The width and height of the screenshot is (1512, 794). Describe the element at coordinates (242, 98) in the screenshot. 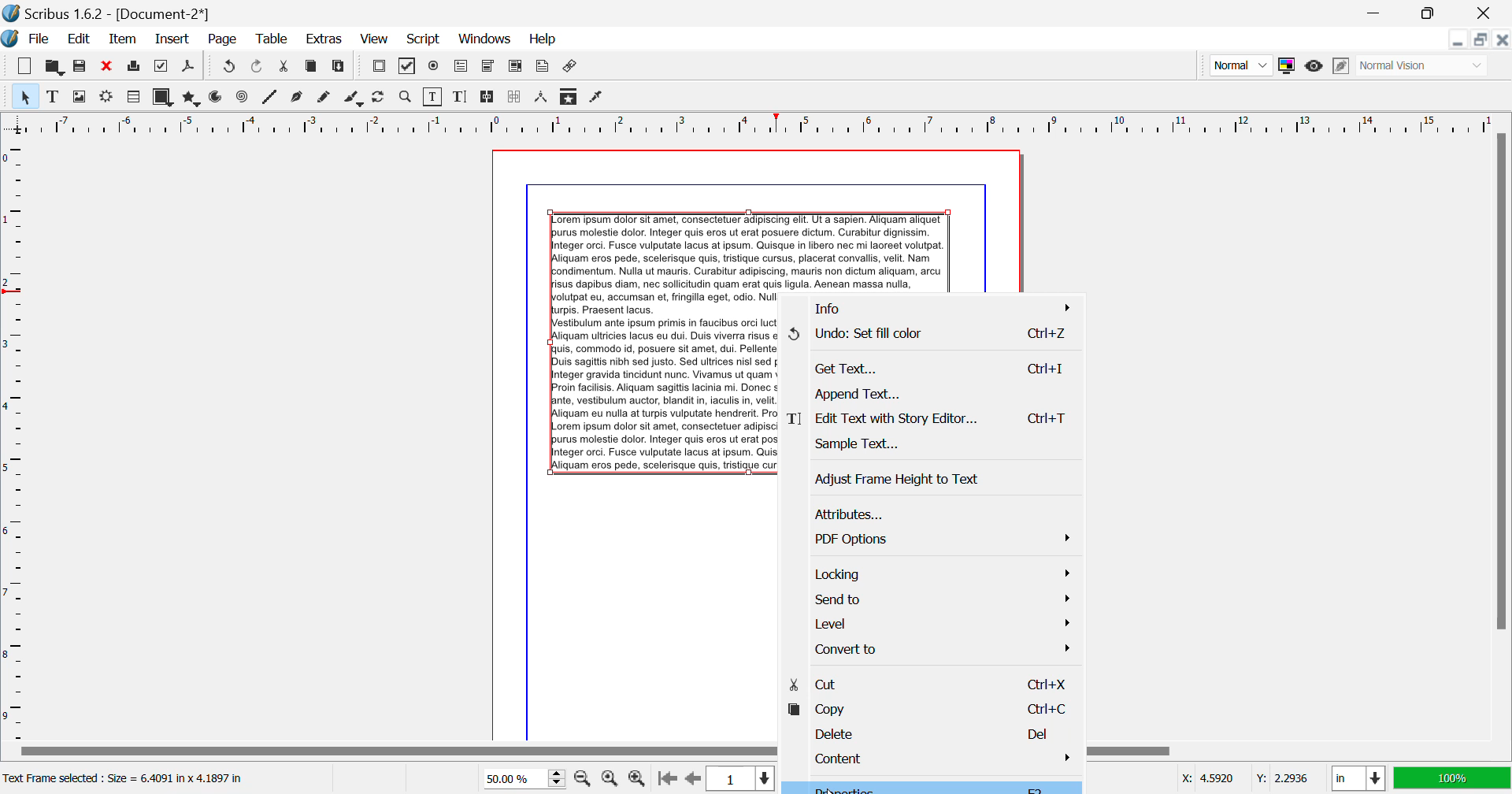

I see `Spiral` at that location.